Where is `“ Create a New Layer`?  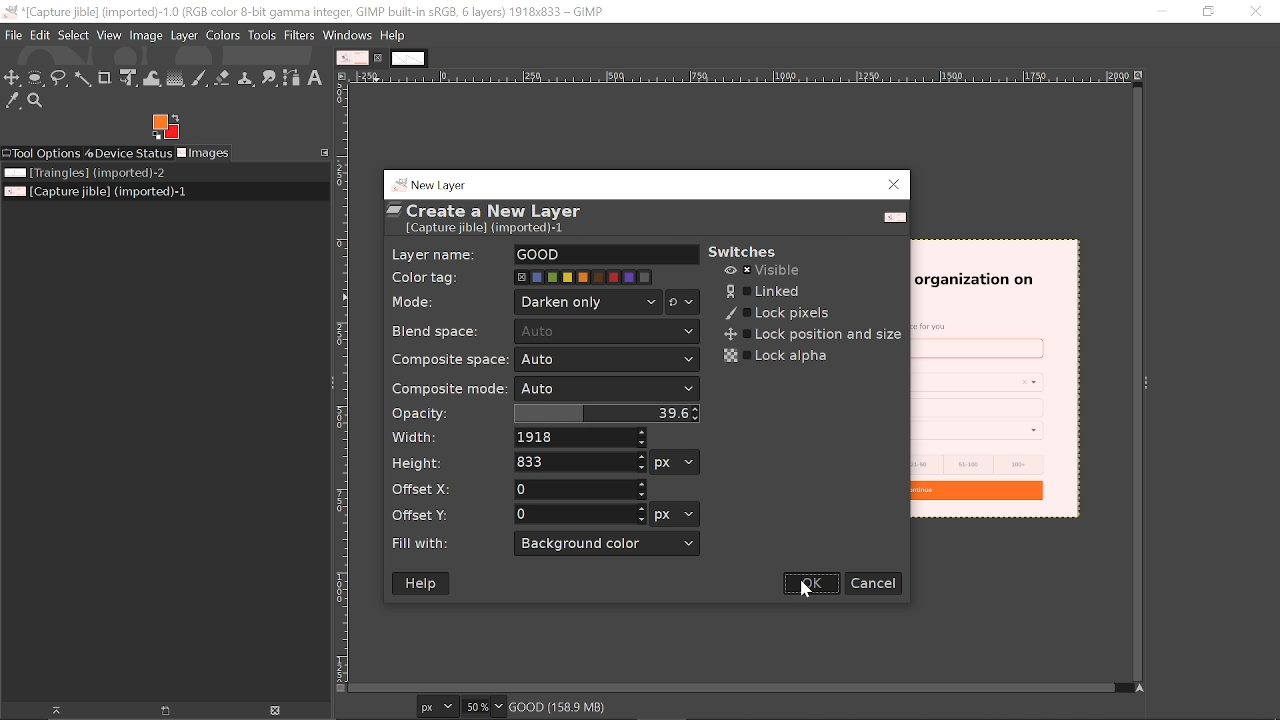 “ Create a New Layer is located at coordinates (498, 220).